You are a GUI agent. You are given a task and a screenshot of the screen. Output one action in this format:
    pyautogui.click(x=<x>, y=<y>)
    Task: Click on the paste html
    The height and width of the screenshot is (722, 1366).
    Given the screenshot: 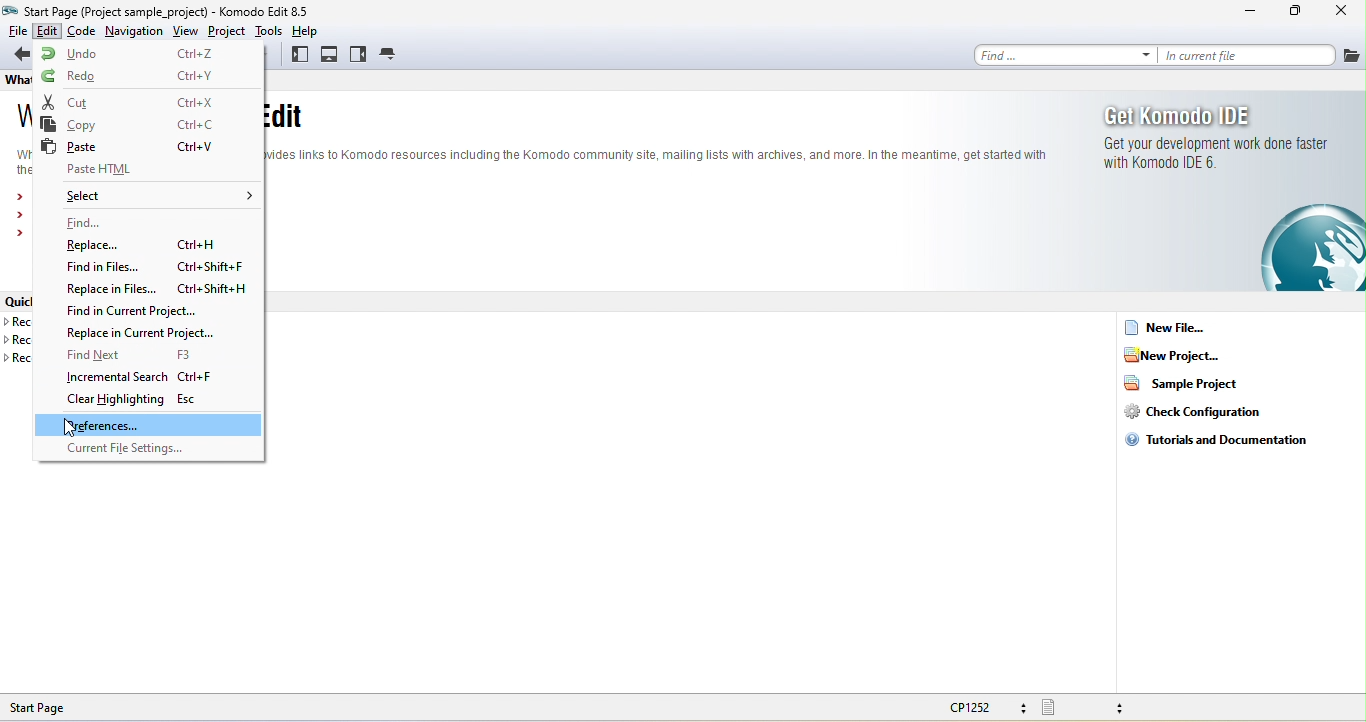 What is the action you would take?
    pyautogui.click(x=151, y=170)
    